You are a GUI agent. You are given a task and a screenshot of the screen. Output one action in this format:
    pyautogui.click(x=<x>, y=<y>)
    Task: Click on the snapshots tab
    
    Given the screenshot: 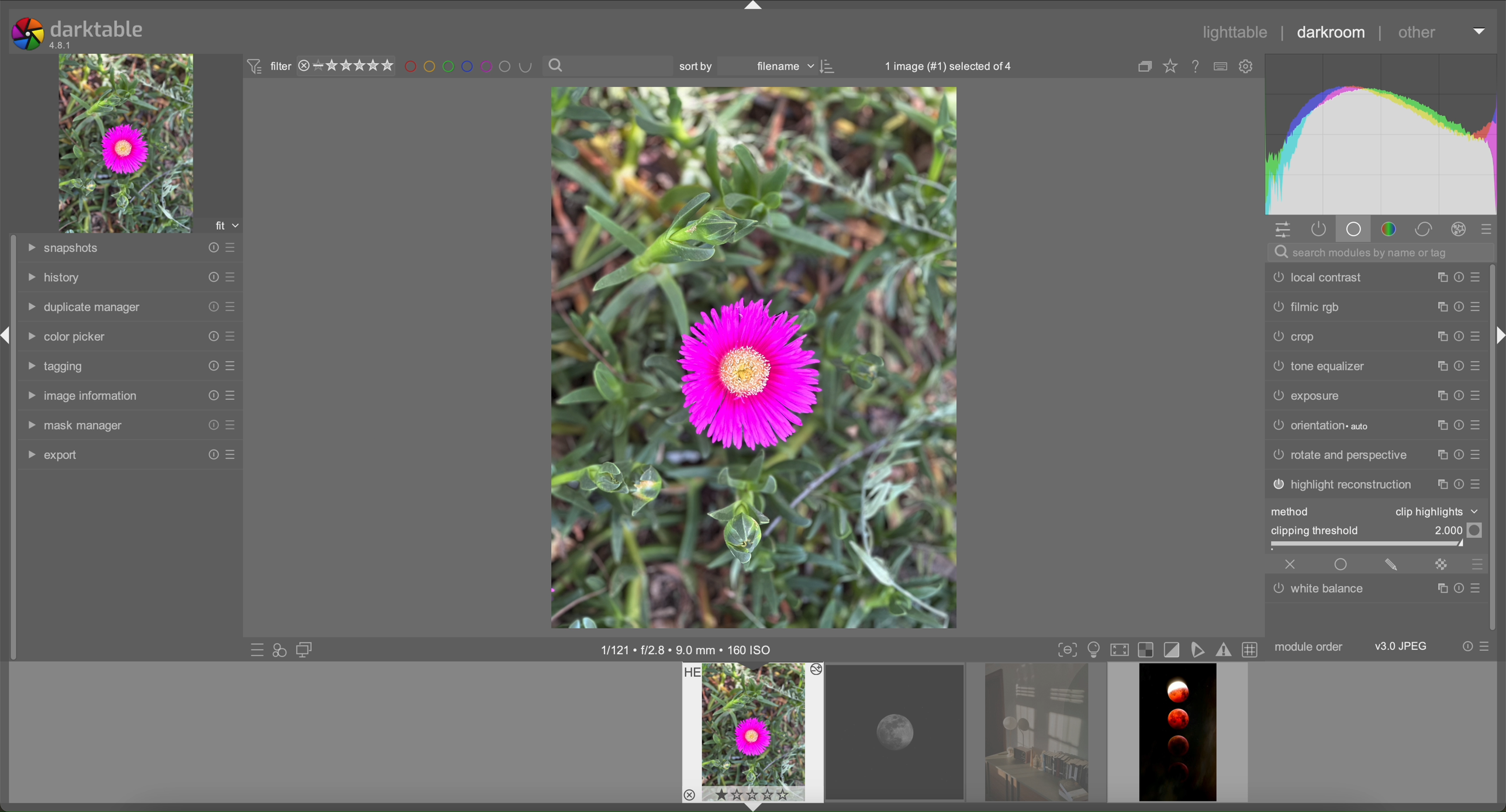 What is the action you would take?
    pyautogui.click(x=63, y=247)
    